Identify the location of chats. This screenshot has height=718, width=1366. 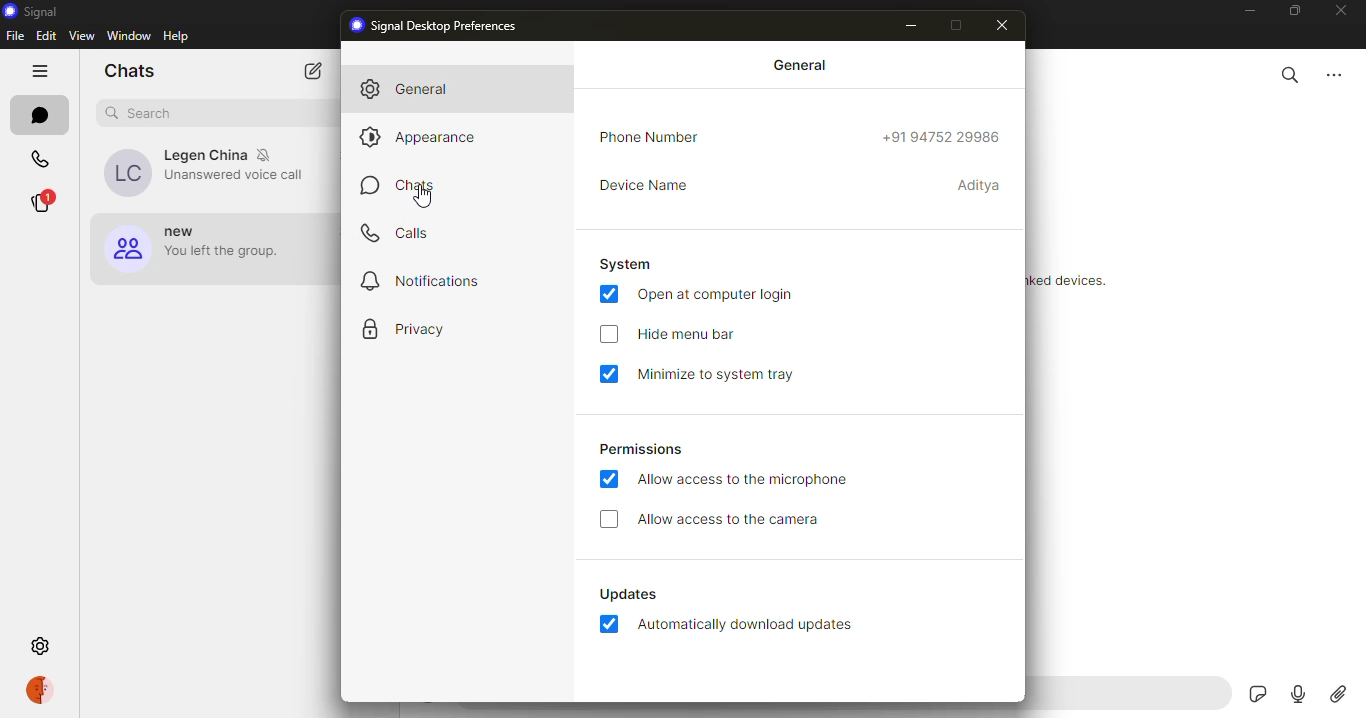
(40, 116).